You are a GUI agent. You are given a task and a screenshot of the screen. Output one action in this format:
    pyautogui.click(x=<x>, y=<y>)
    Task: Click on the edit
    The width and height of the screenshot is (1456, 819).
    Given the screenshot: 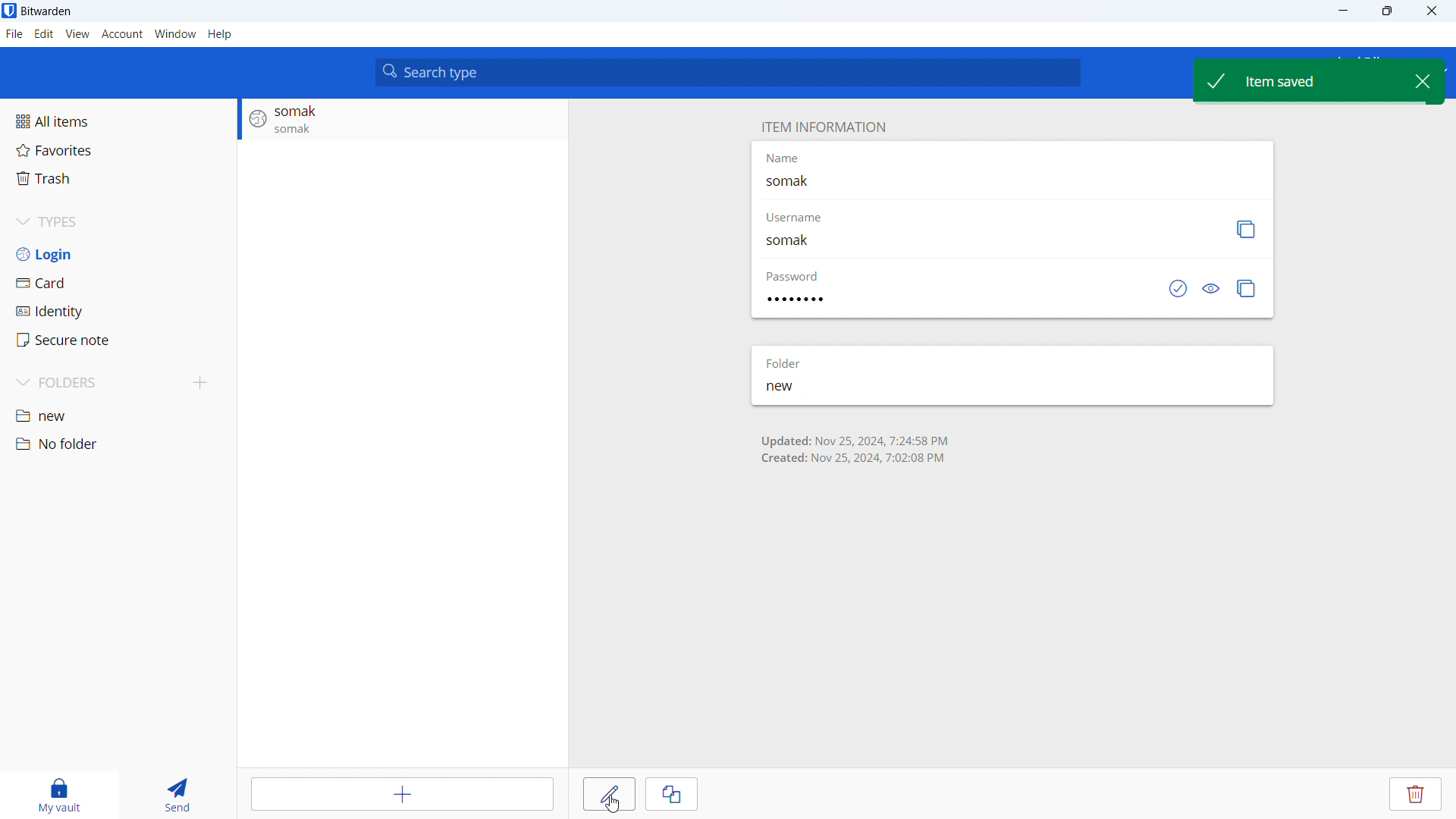 What is the action you would take?
    pyautogui.click(x=43, y=34)
    